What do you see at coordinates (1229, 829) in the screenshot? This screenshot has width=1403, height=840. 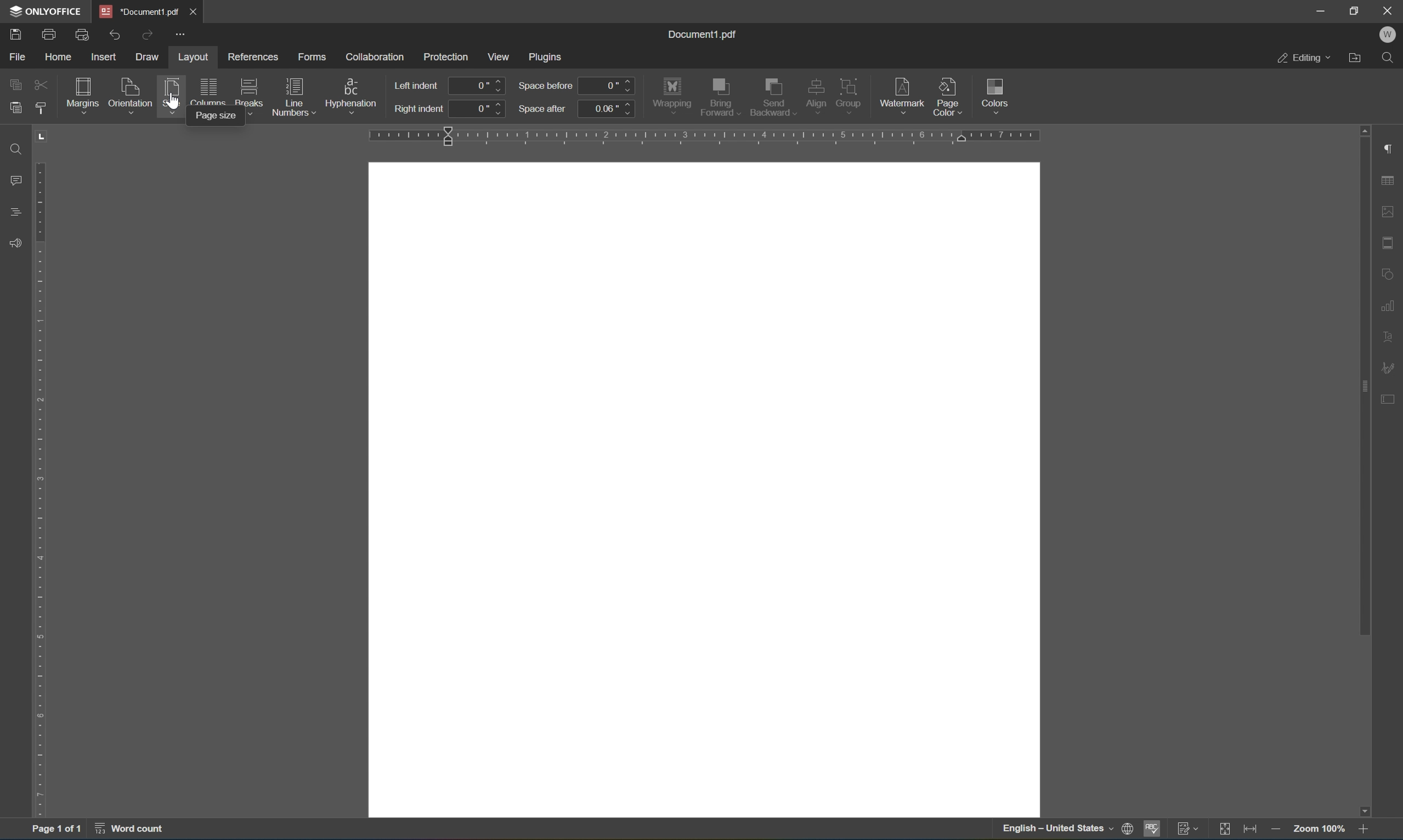 I see `fit to slide` at bounding box center [1229, 829].